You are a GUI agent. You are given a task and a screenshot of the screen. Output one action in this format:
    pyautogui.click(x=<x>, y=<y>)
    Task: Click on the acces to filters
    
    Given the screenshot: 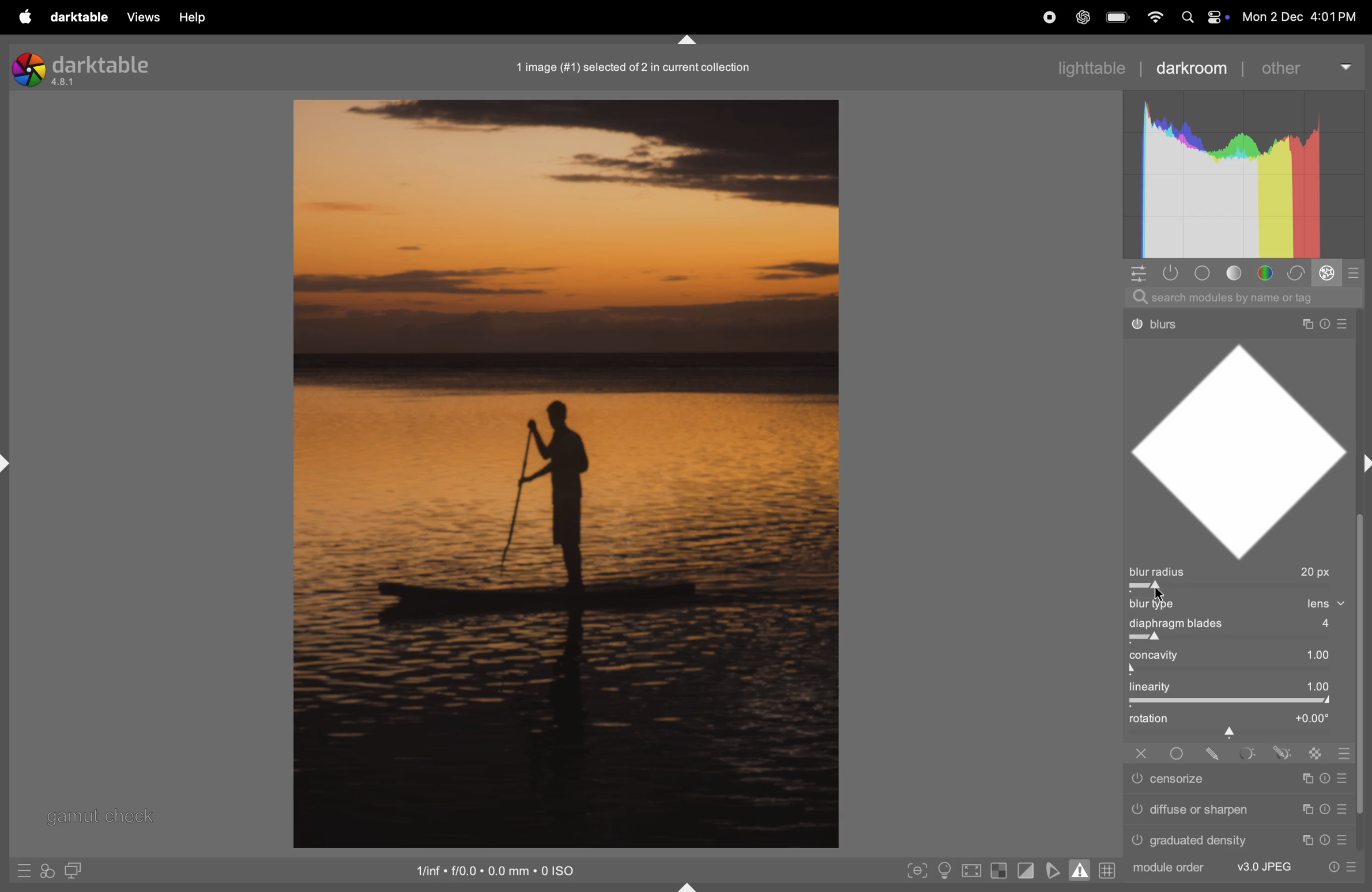 What is the action you would take?
    pyautogui.click(x=49, y=870)
    